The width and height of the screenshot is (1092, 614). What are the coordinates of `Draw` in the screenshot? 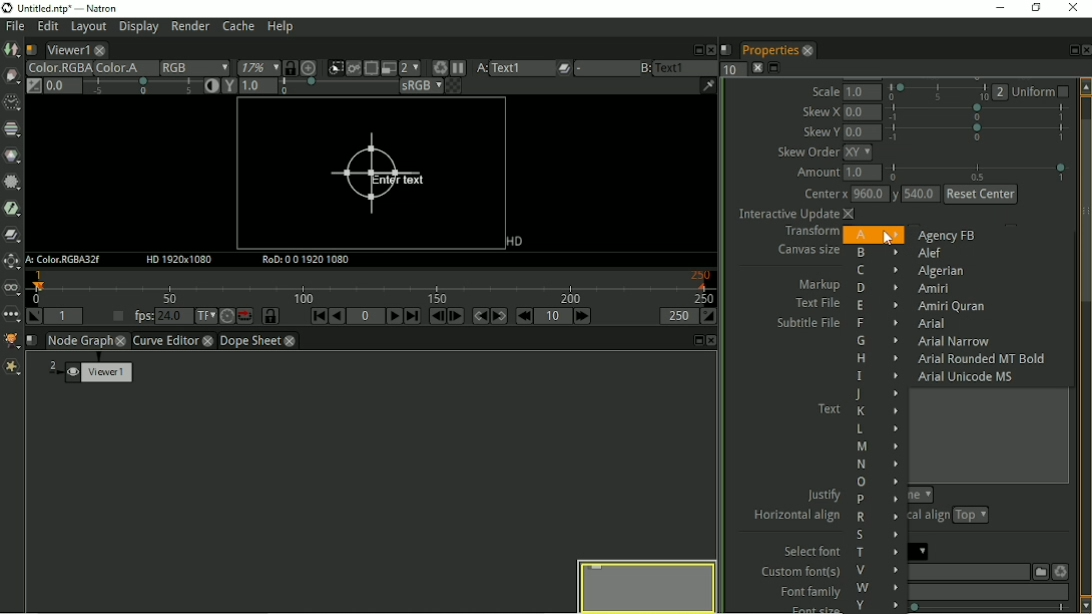 It's located at (11, 75).